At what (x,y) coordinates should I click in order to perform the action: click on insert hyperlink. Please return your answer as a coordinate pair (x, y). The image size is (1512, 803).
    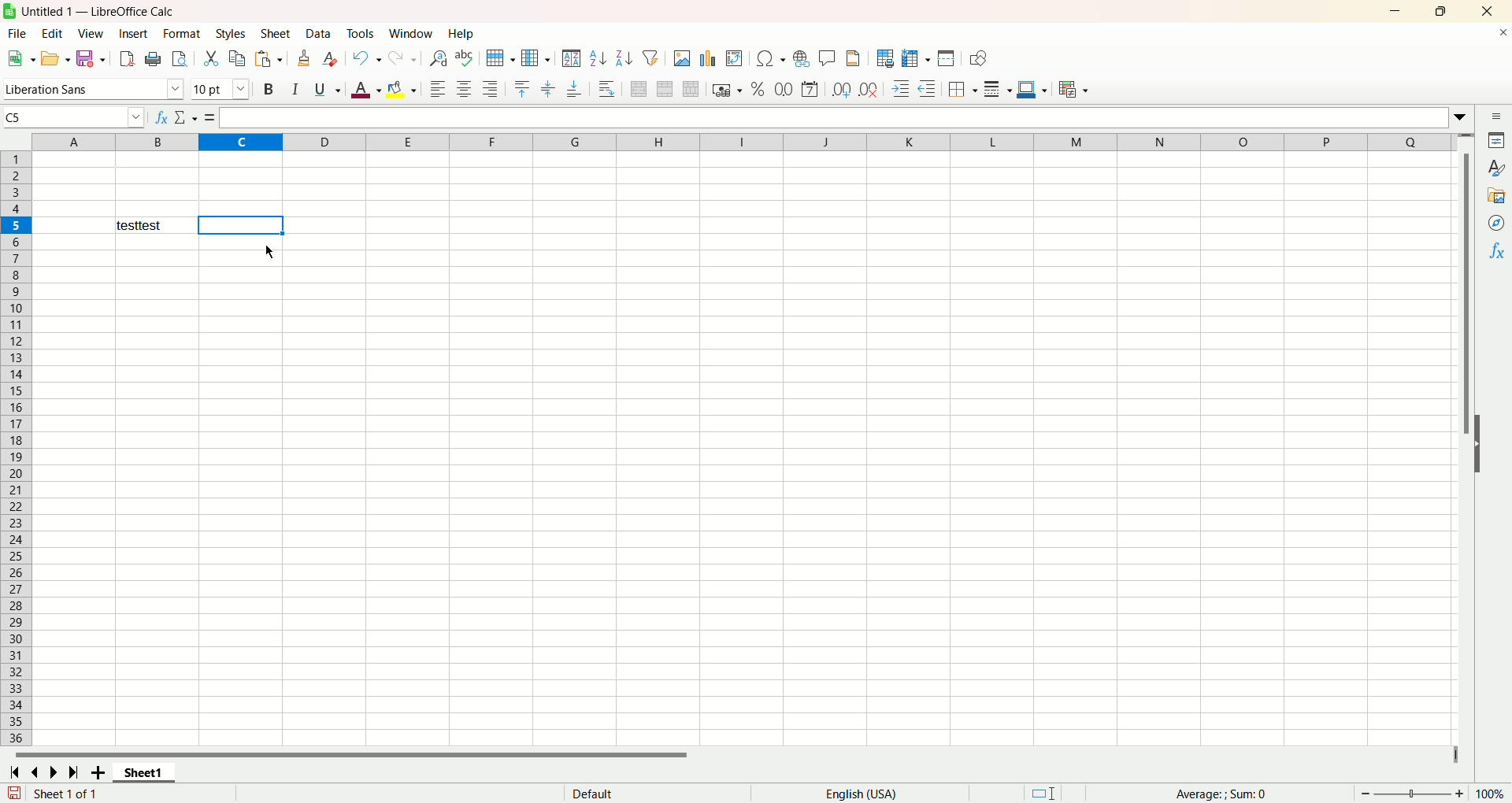
    Looking at the image, I should click on (800, 59).